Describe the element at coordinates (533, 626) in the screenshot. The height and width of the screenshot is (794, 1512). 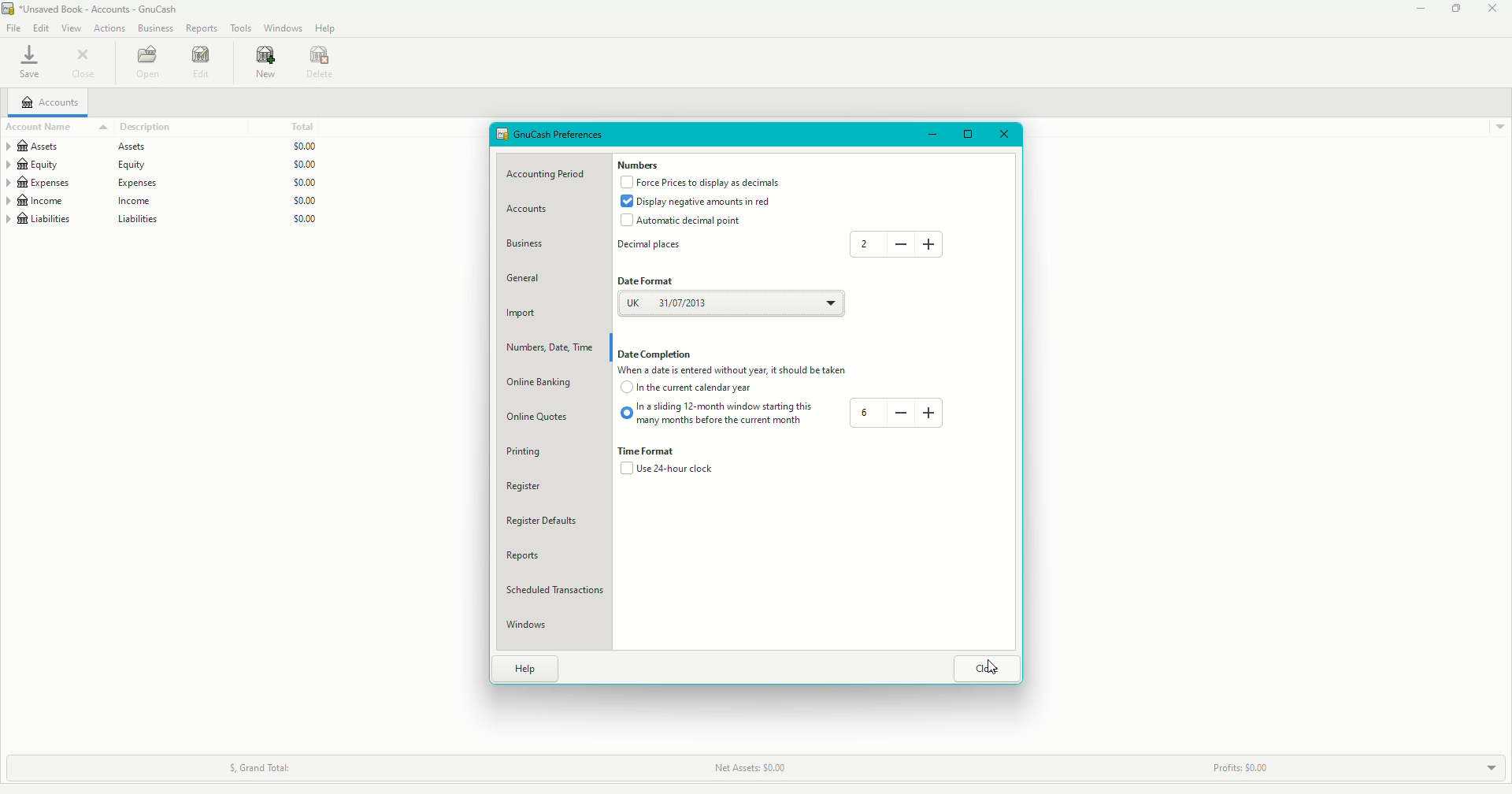
I see `Windows` at that location.